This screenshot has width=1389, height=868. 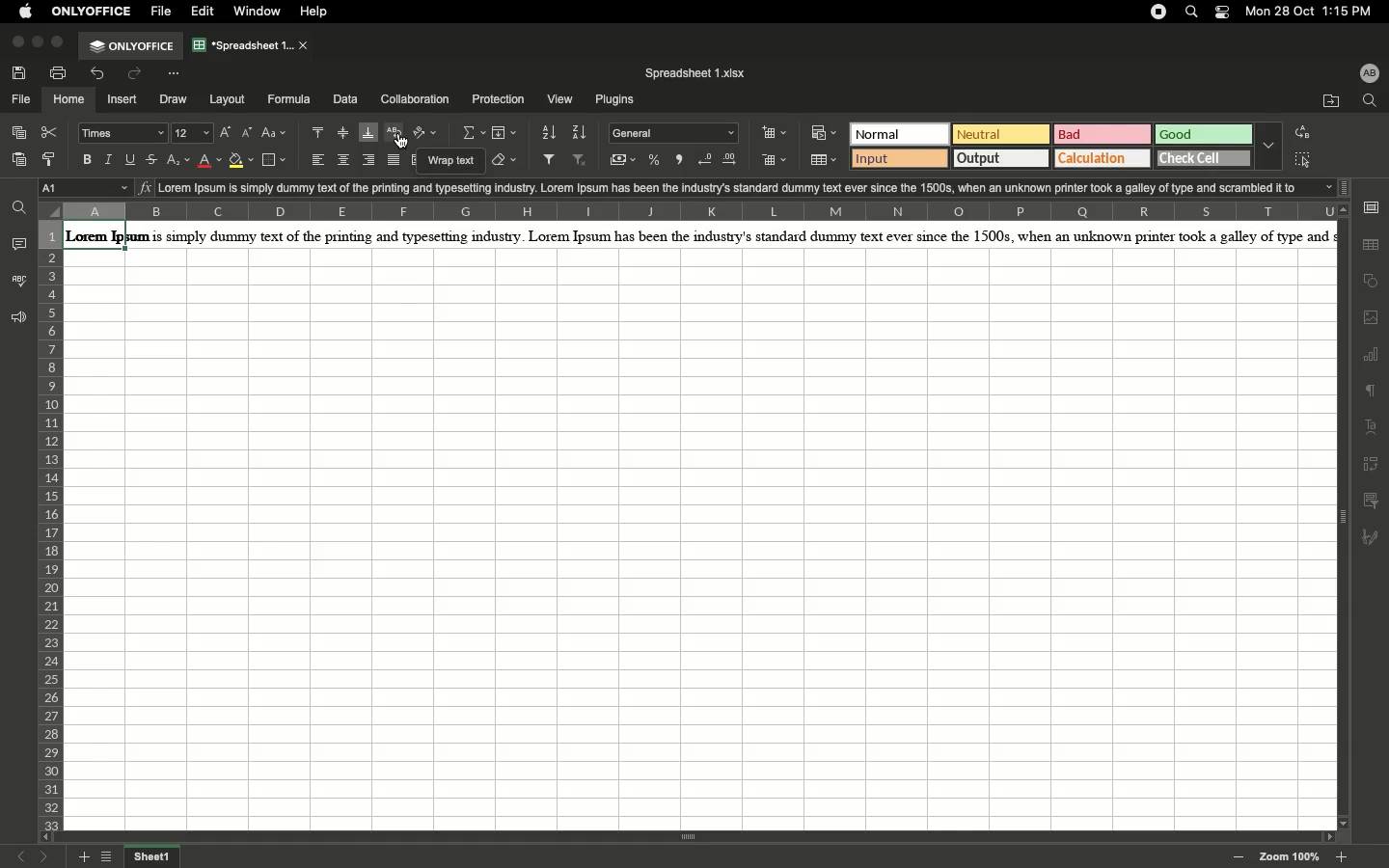 I want to click on Row, so click(x=51, y=525).